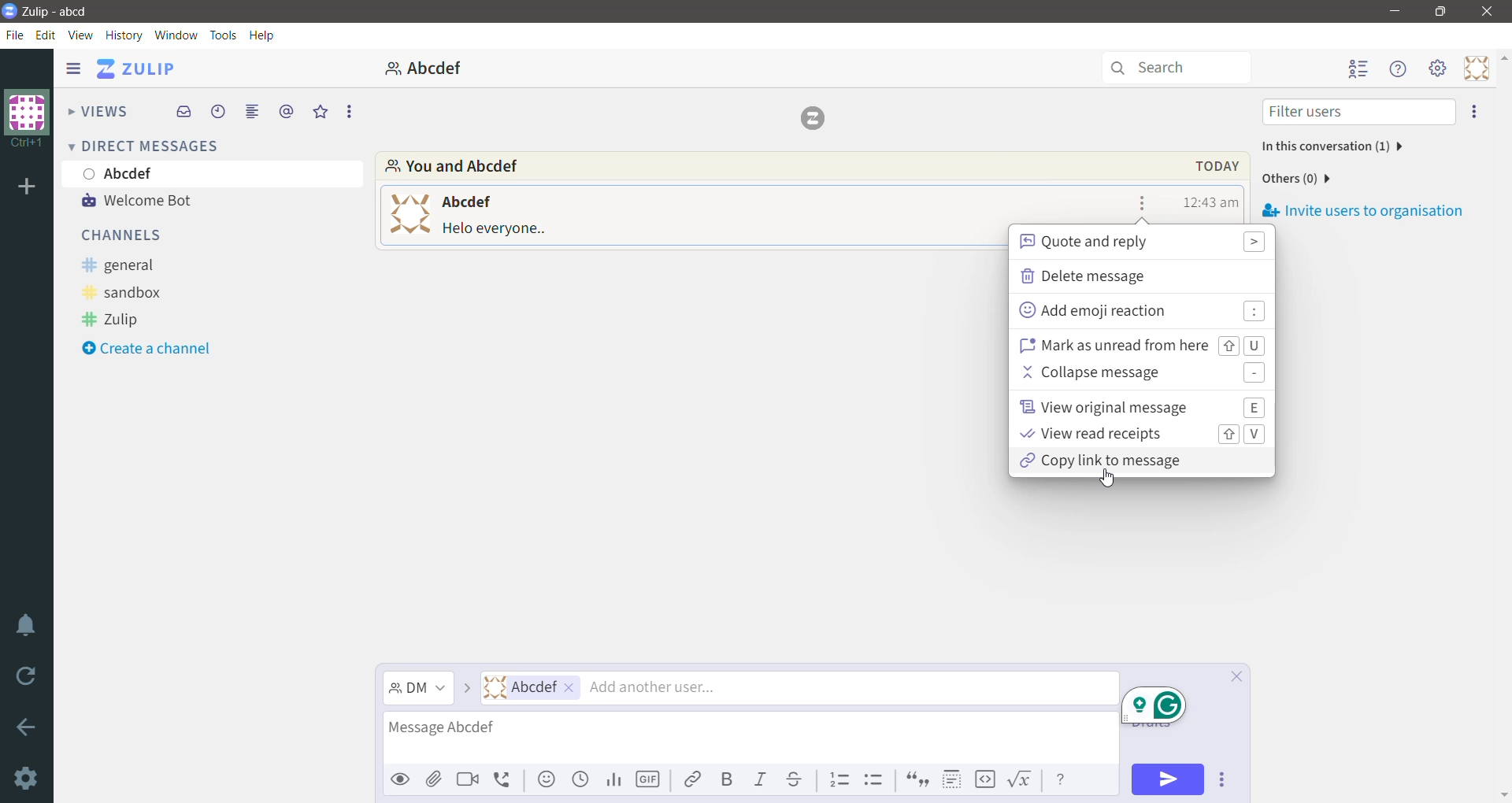 This screenshot has height=803, width=1512. Describe the element at coordinates (48, 35) in the screenshot. I see `Edit` at that location.